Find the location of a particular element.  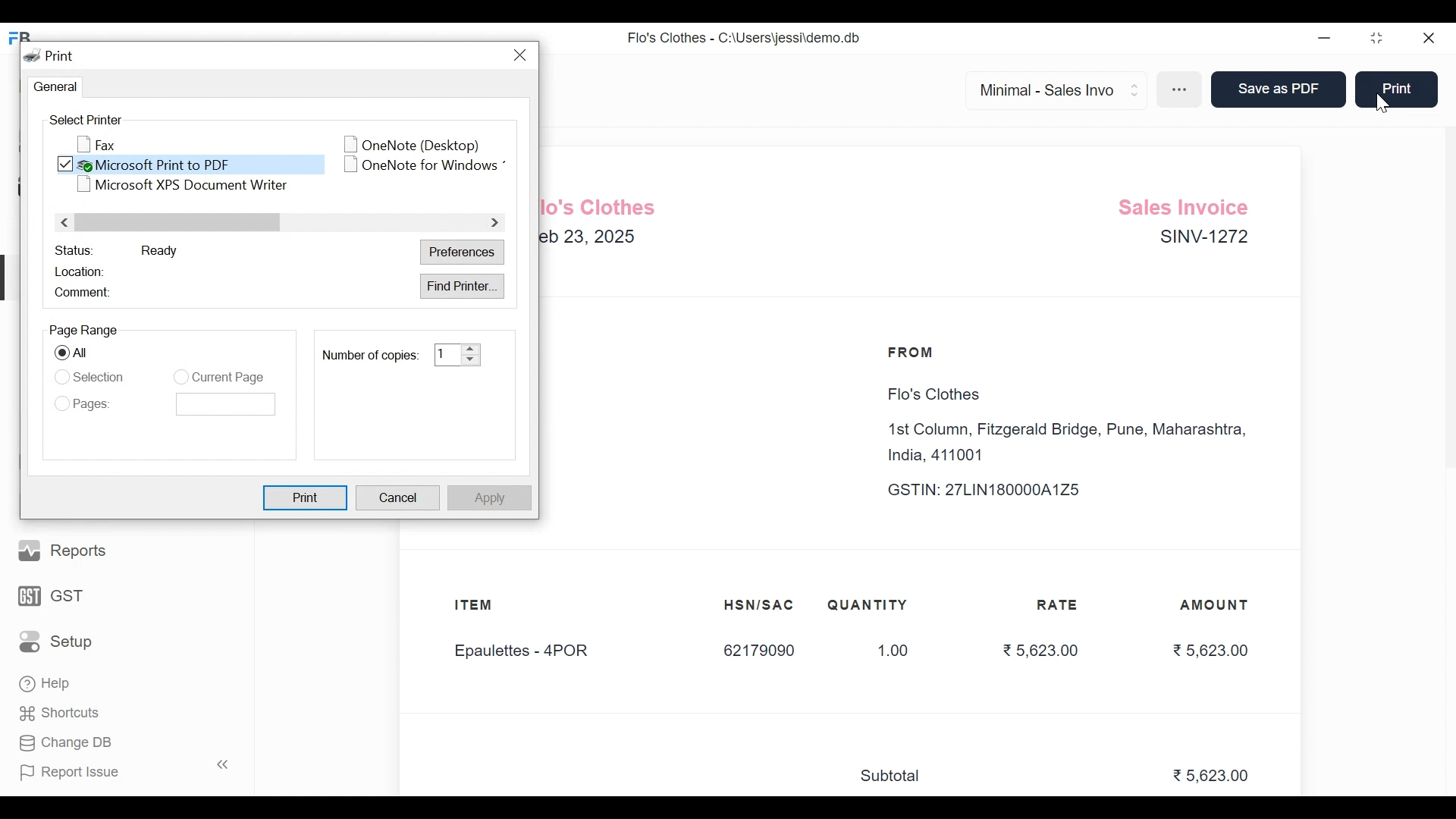

AMOUNT is located at coordinates (1216, 606).